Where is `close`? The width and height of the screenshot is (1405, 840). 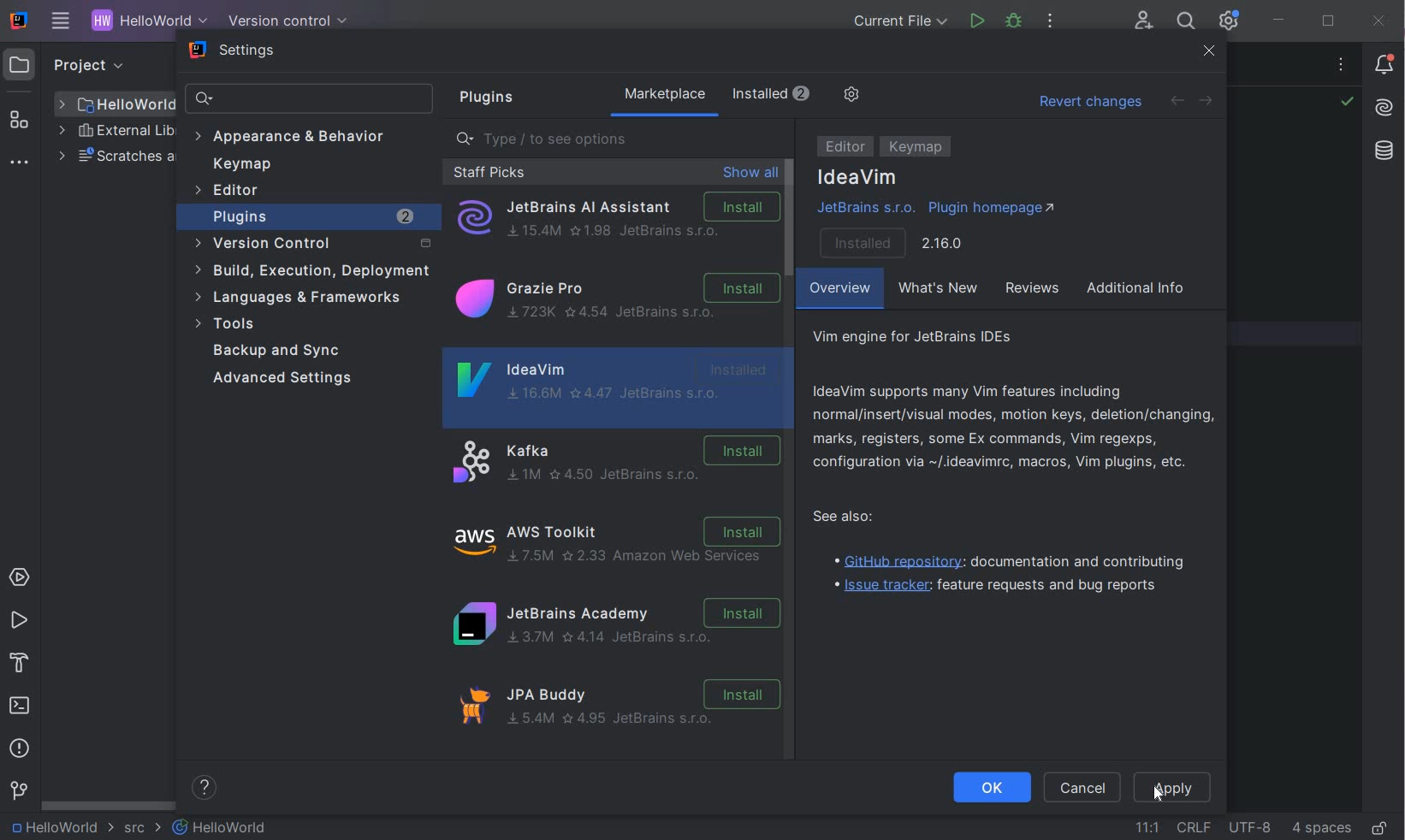 close is located at coordinates (1210, 53).